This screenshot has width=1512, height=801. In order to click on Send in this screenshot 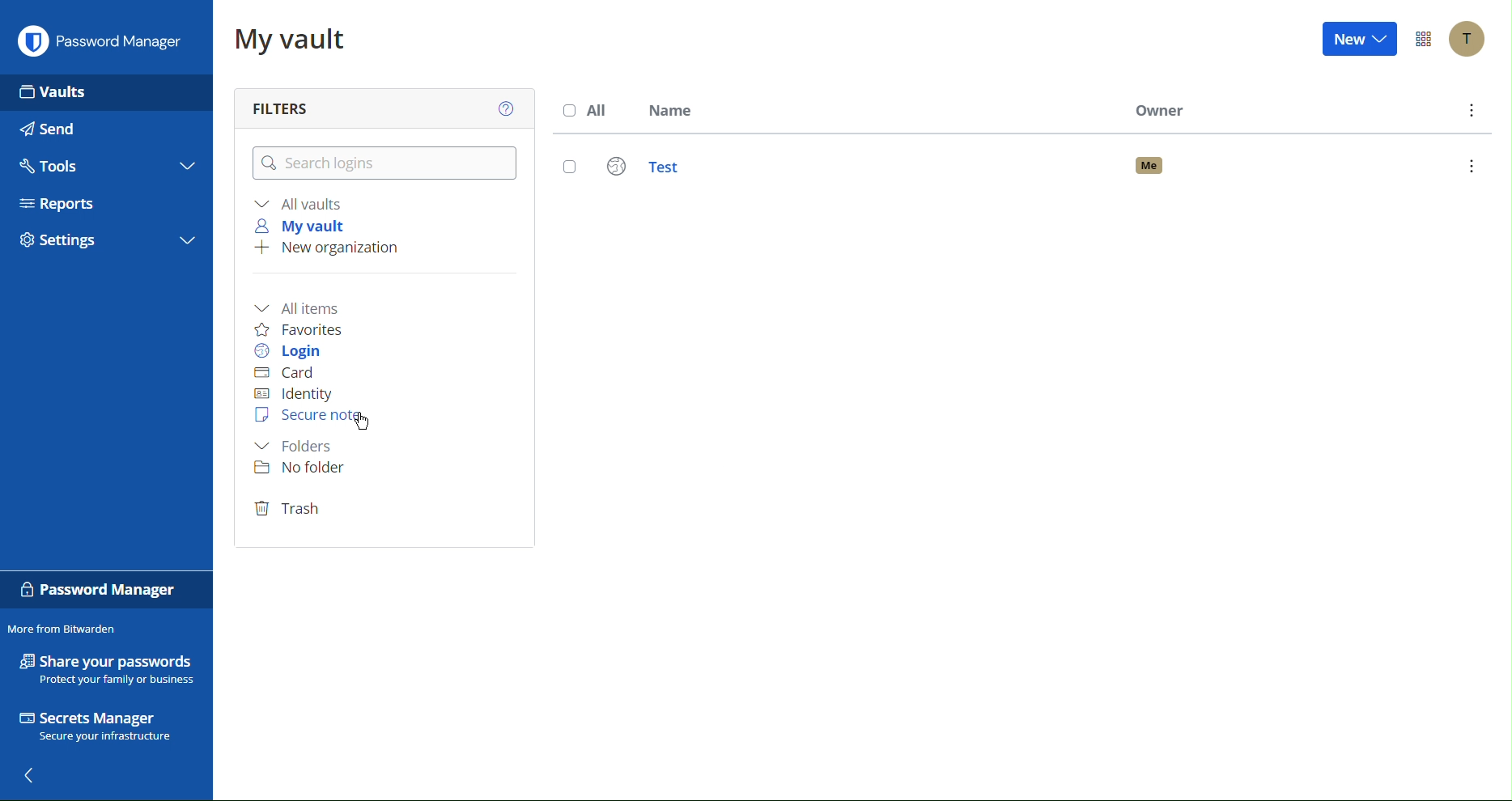, I will do `click(54, 129)`.